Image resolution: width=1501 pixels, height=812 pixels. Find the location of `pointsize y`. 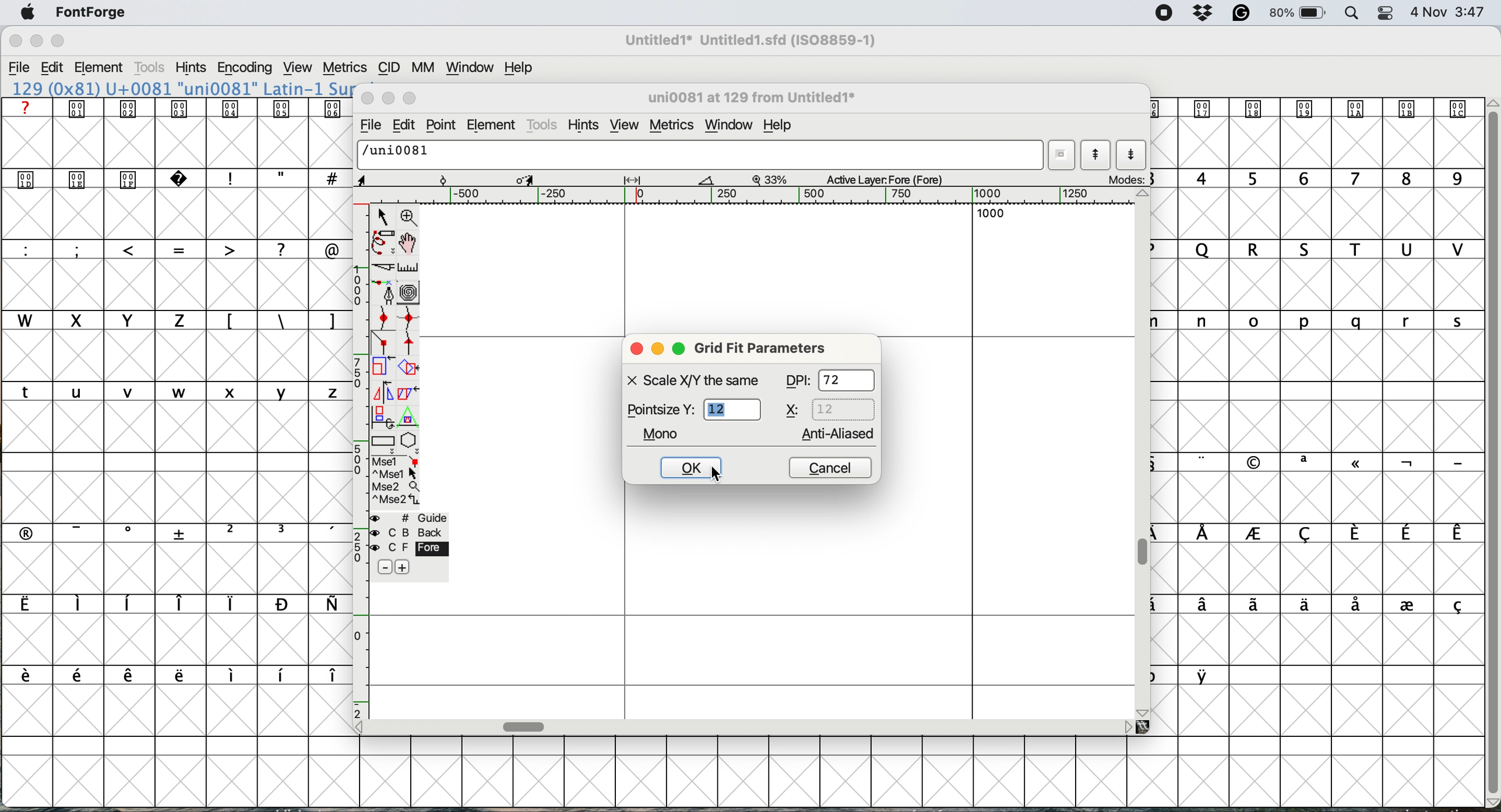

pointsize y is located at coordinates (690, 409).